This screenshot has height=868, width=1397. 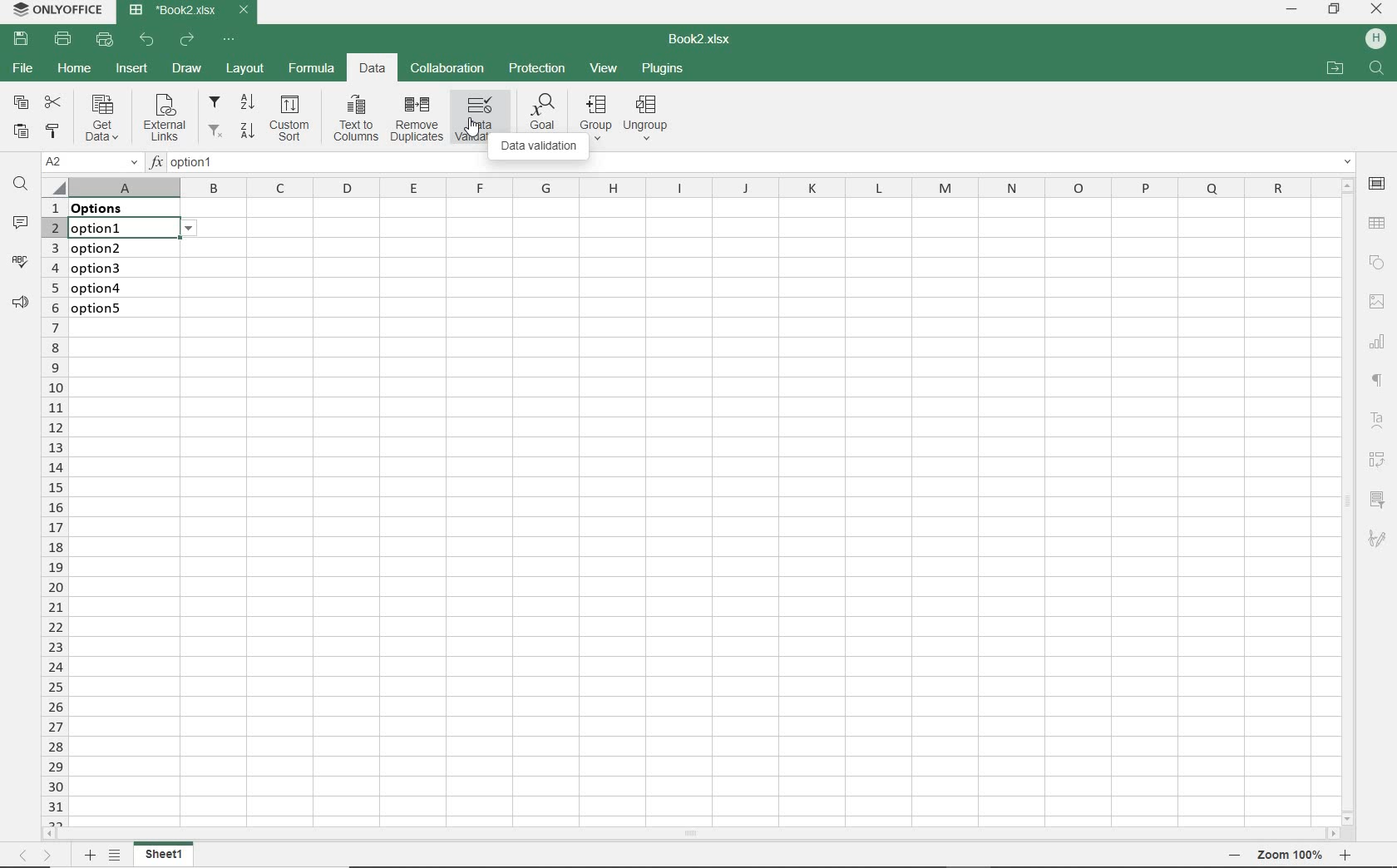 I want to click on PARAGRAPH SETTINGS, so click(x=17, y=303).